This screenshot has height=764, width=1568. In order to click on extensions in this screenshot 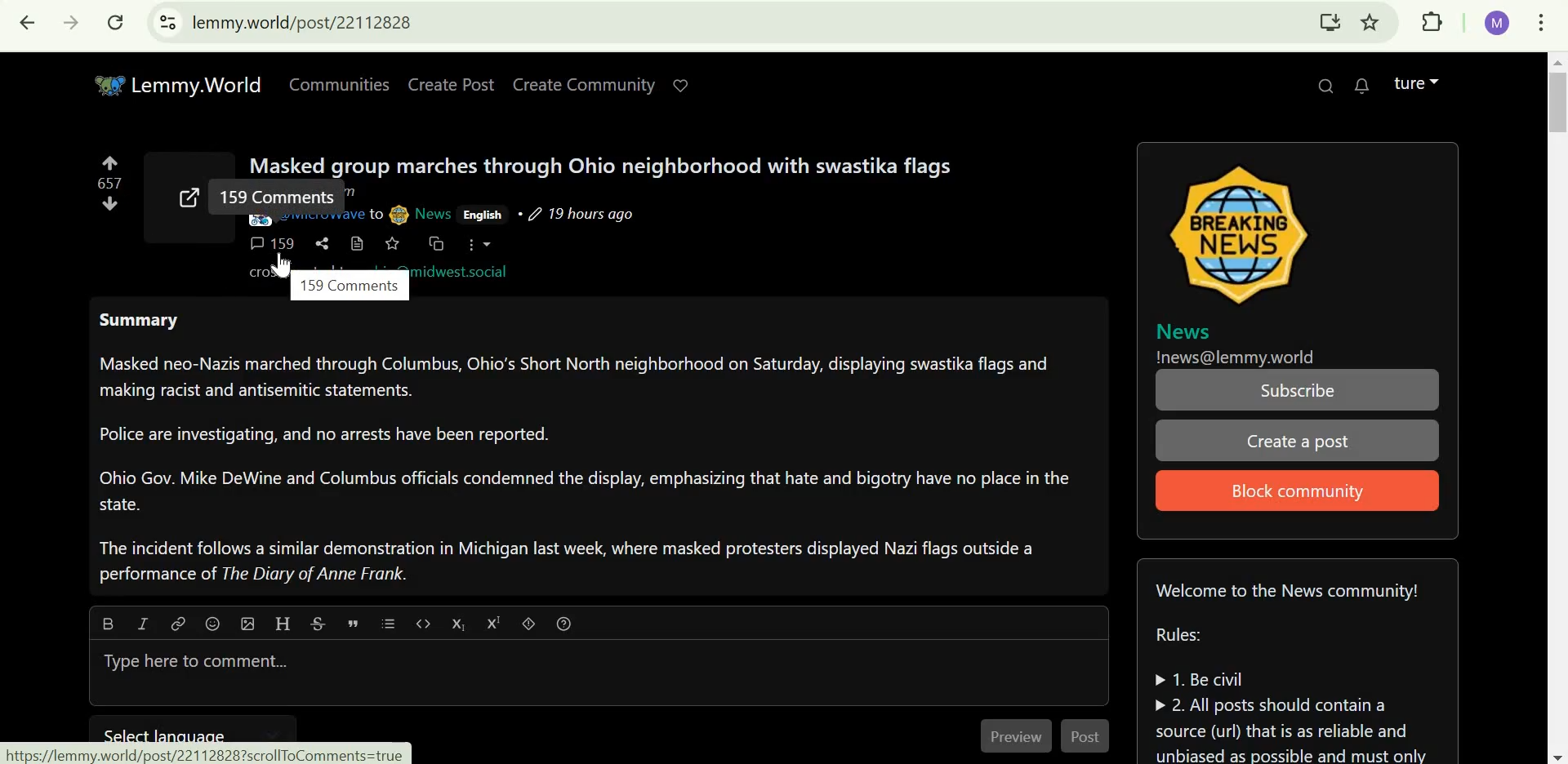, I will do `click(1427, 22)`.